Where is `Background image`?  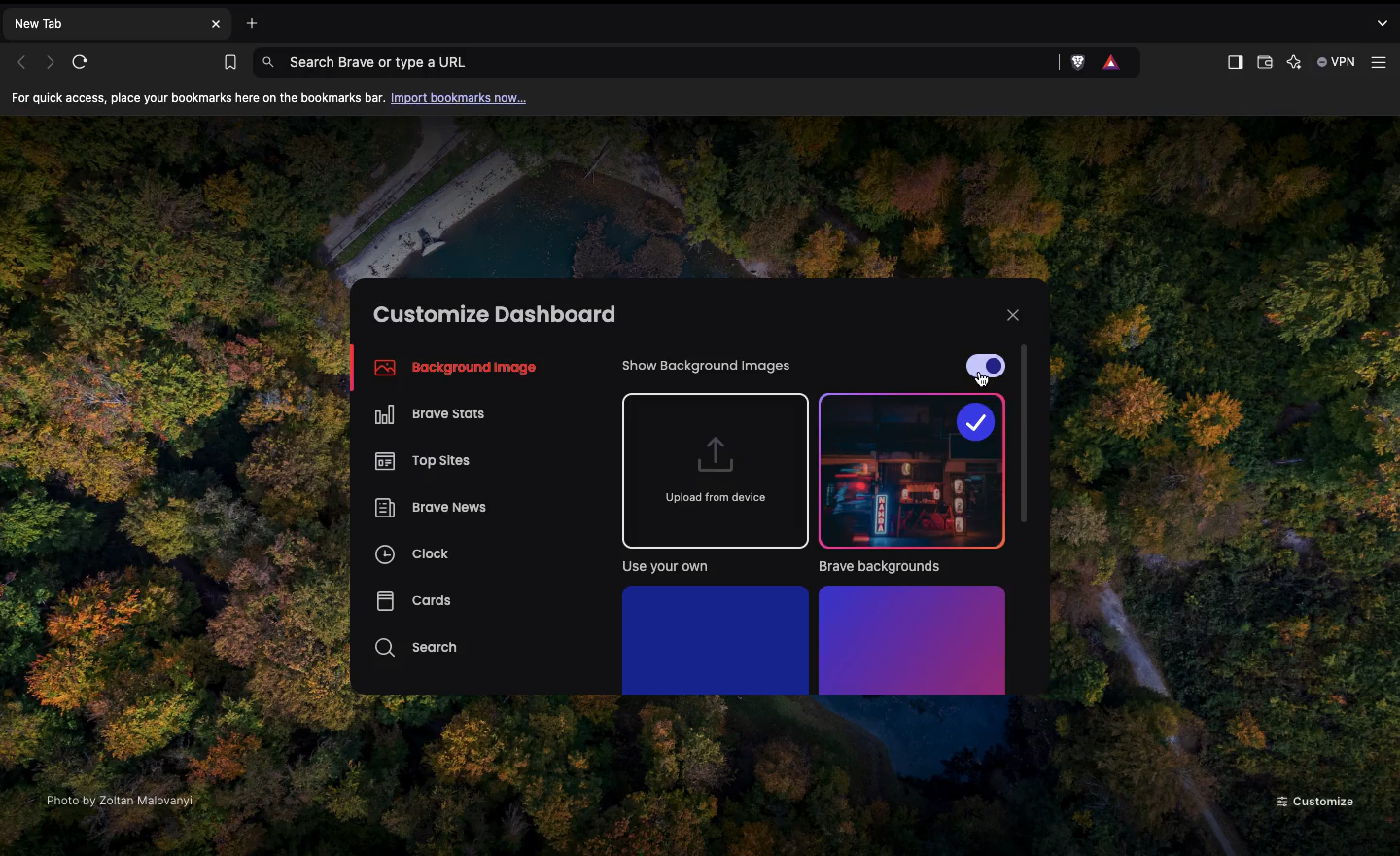 Background image is located at coordinates (450, 368).